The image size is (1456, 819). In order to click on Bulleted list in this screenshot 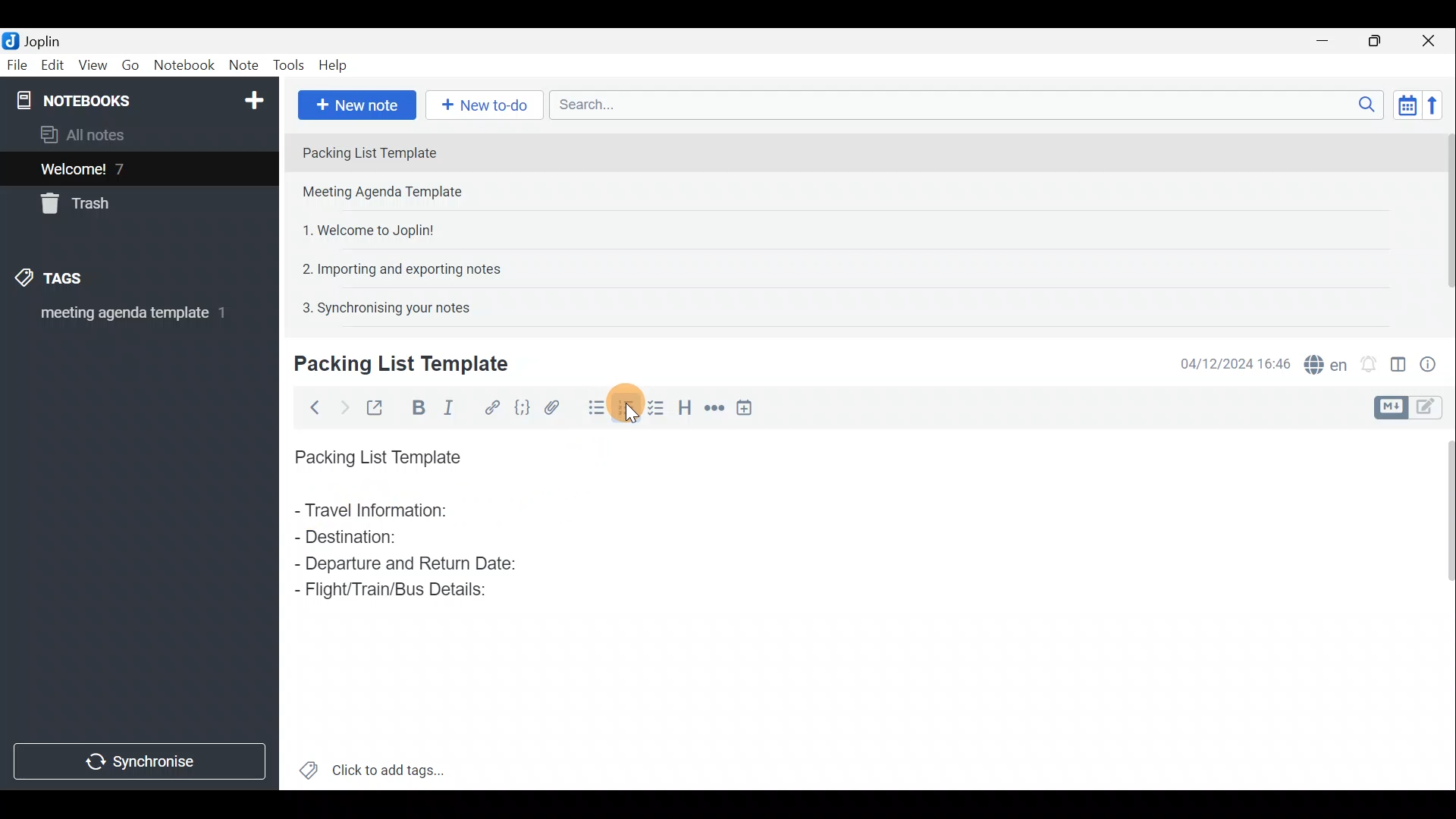, I will do `click(593, 410)`.